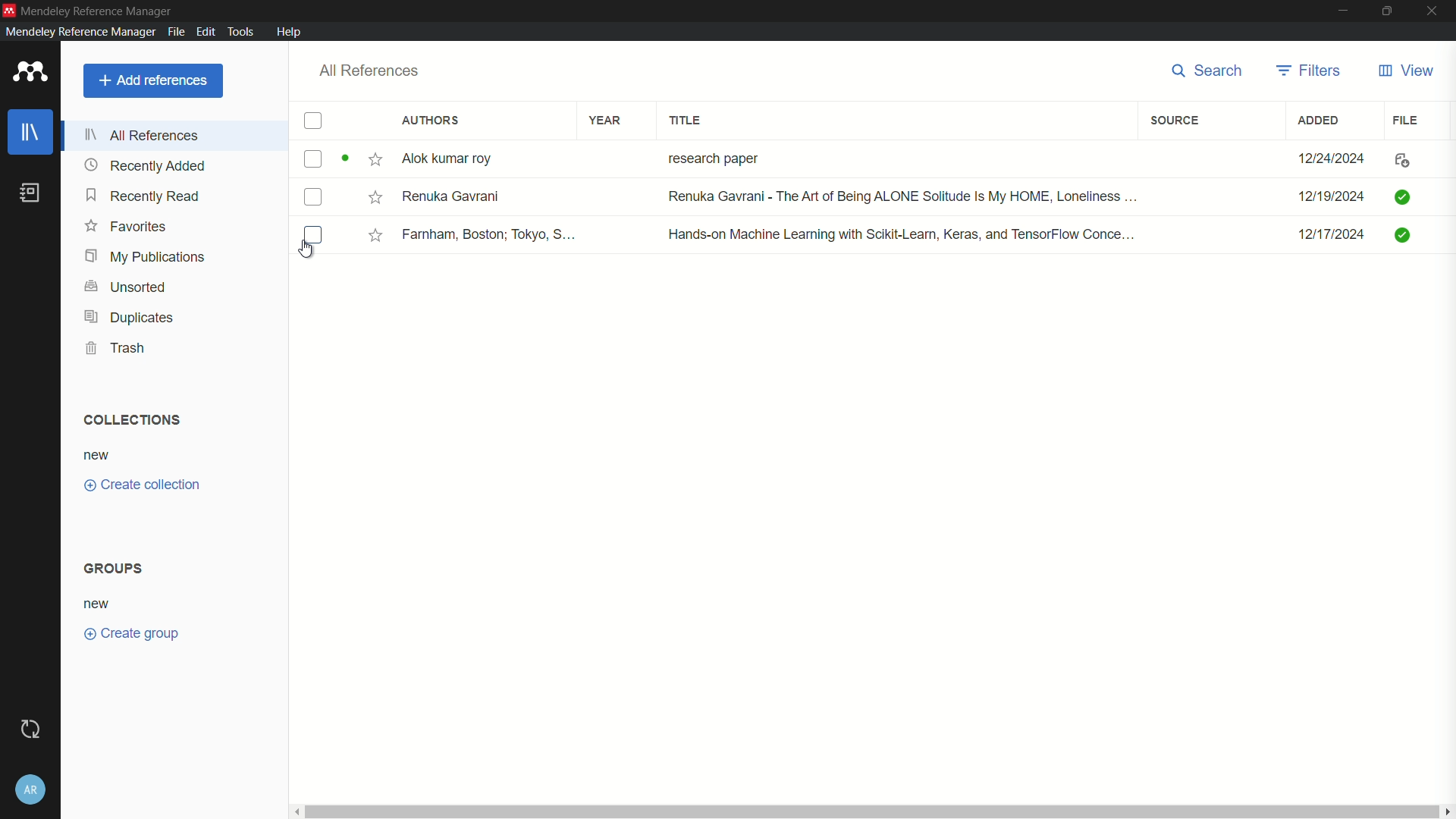 The width and height of the screenshot is (1456, 819). I want to click on Alok Kumar Roy, so click(458, 158).